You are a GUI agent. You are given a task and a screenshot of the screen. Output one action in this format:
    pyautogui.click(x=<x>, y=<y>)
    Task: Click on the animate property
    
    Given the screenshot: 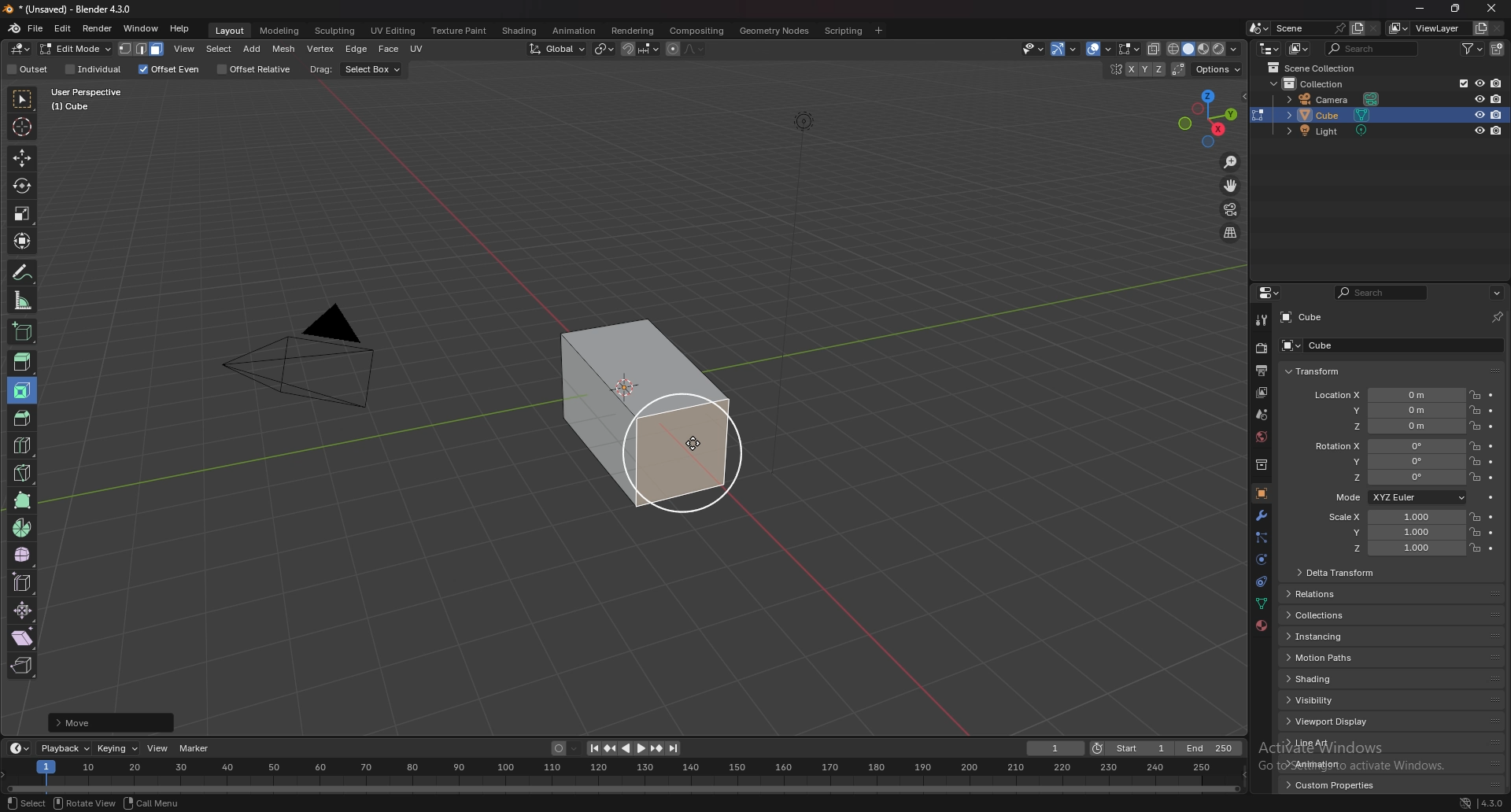 What is the action you would take?
    pyautogui.click(x=1492, y=409)
    